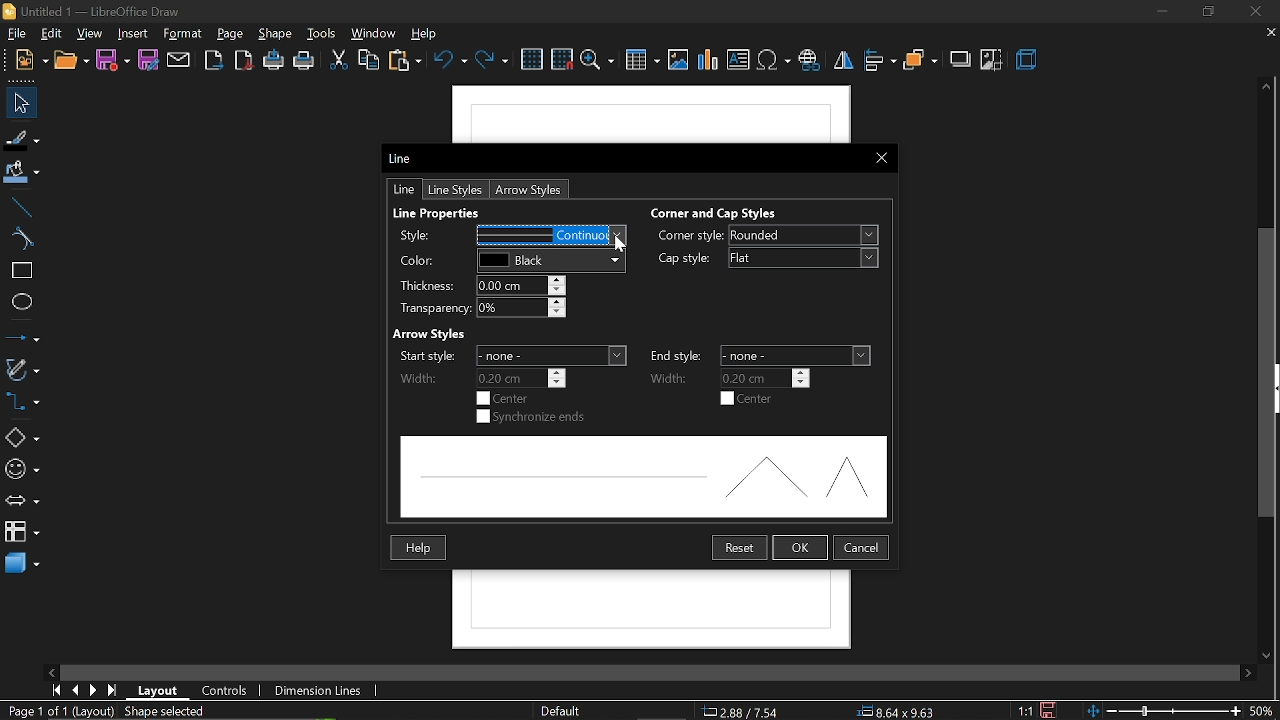 This screenshot has width=1280, height=720. I want to click on insert image, so click(679, 61).